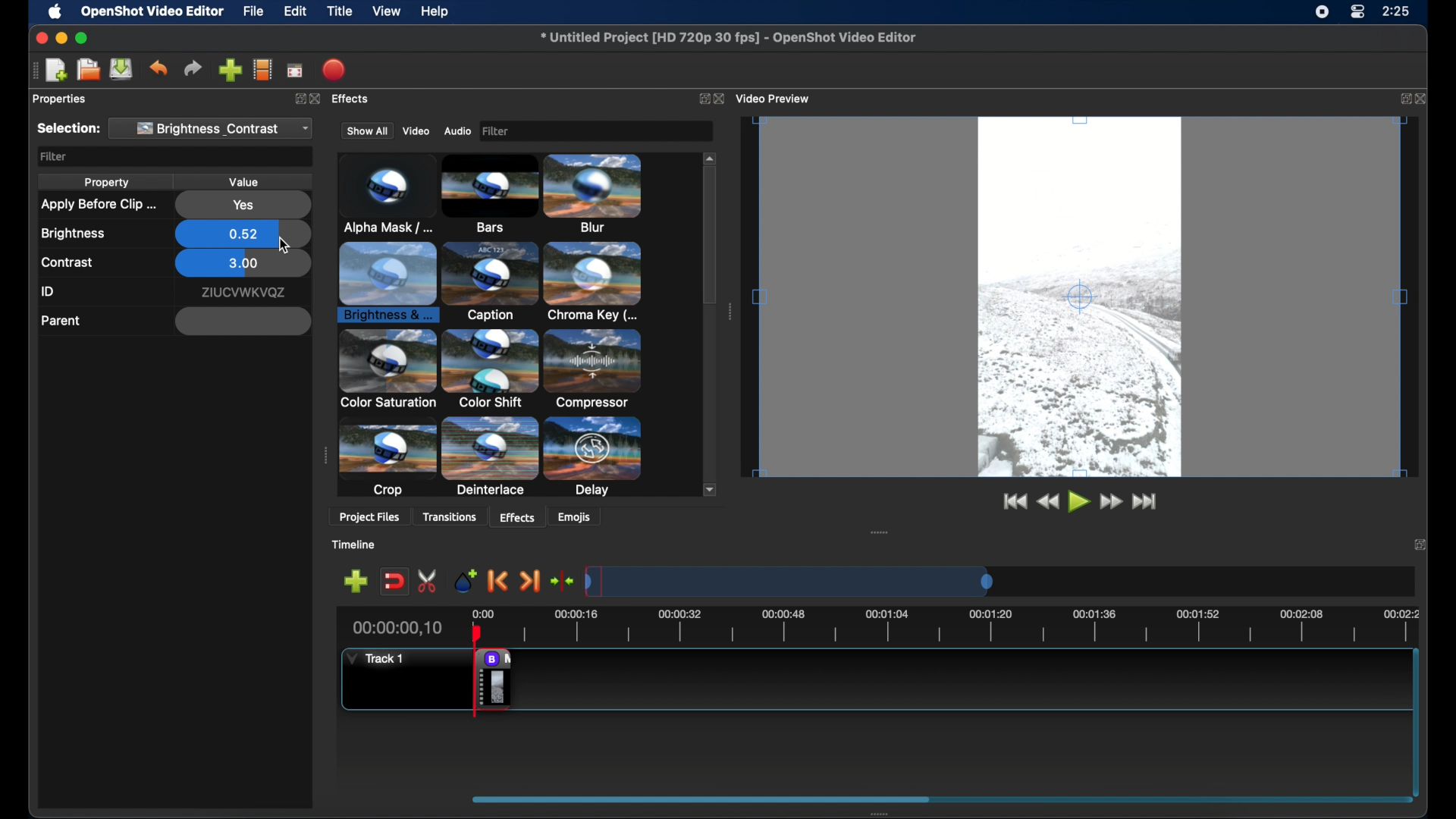  I want to click on close, so click(1420, 543).